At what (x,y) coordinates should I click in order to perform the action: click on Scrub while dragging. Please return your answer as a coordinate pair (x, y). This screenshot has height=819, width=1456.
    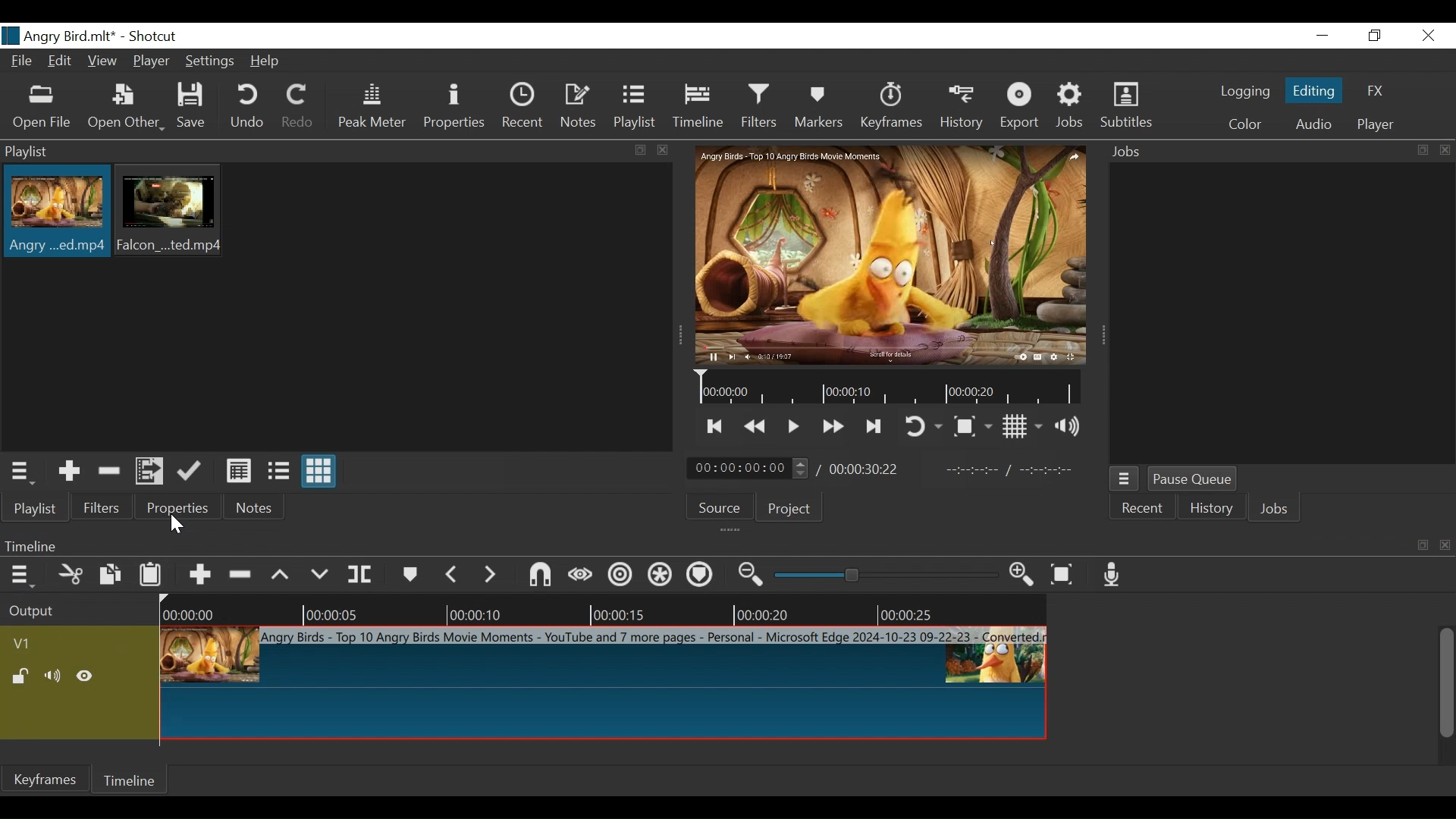
    Looking at the image, I should click on (580, 576).